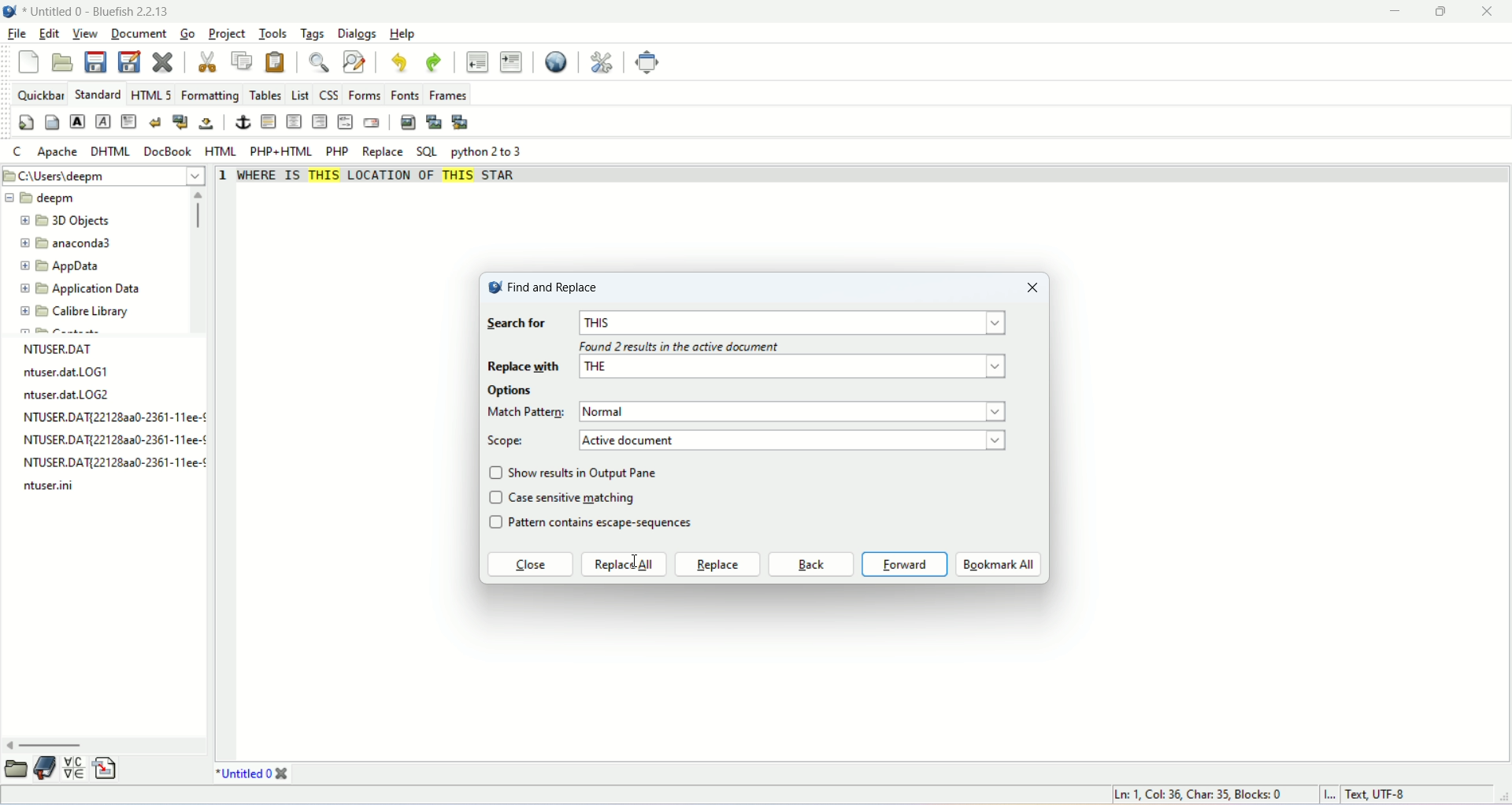 Image resolution: width=1512 pixels, height=805 pixels. I want to click on Ln 1, Col 35, Char 35, Blocks 0, so click(1206, 795).